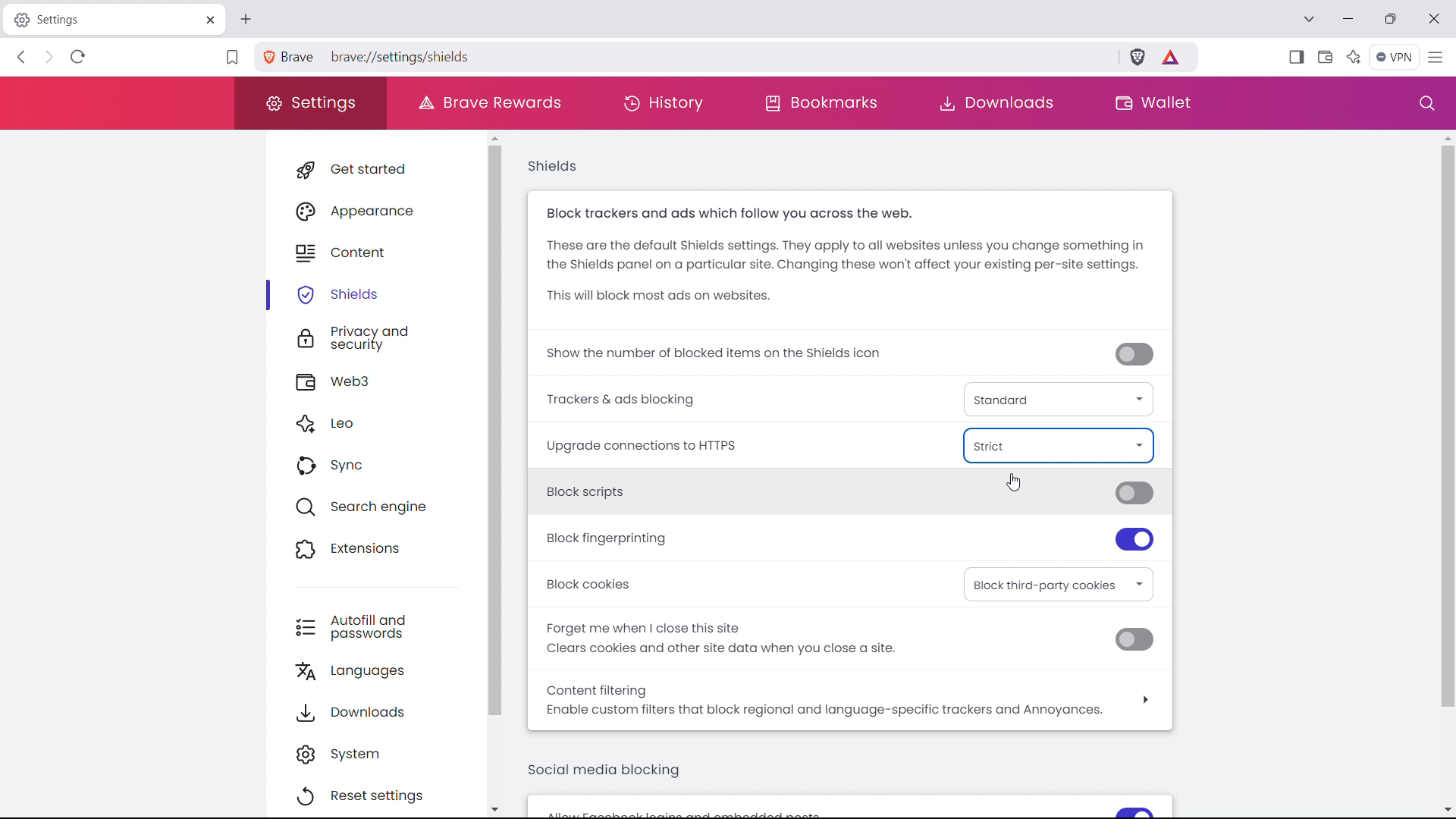  Describe the element at coordinates (716, 353) in the screenshot. I see `show the number of blocked trackers on shields icon` at that location.